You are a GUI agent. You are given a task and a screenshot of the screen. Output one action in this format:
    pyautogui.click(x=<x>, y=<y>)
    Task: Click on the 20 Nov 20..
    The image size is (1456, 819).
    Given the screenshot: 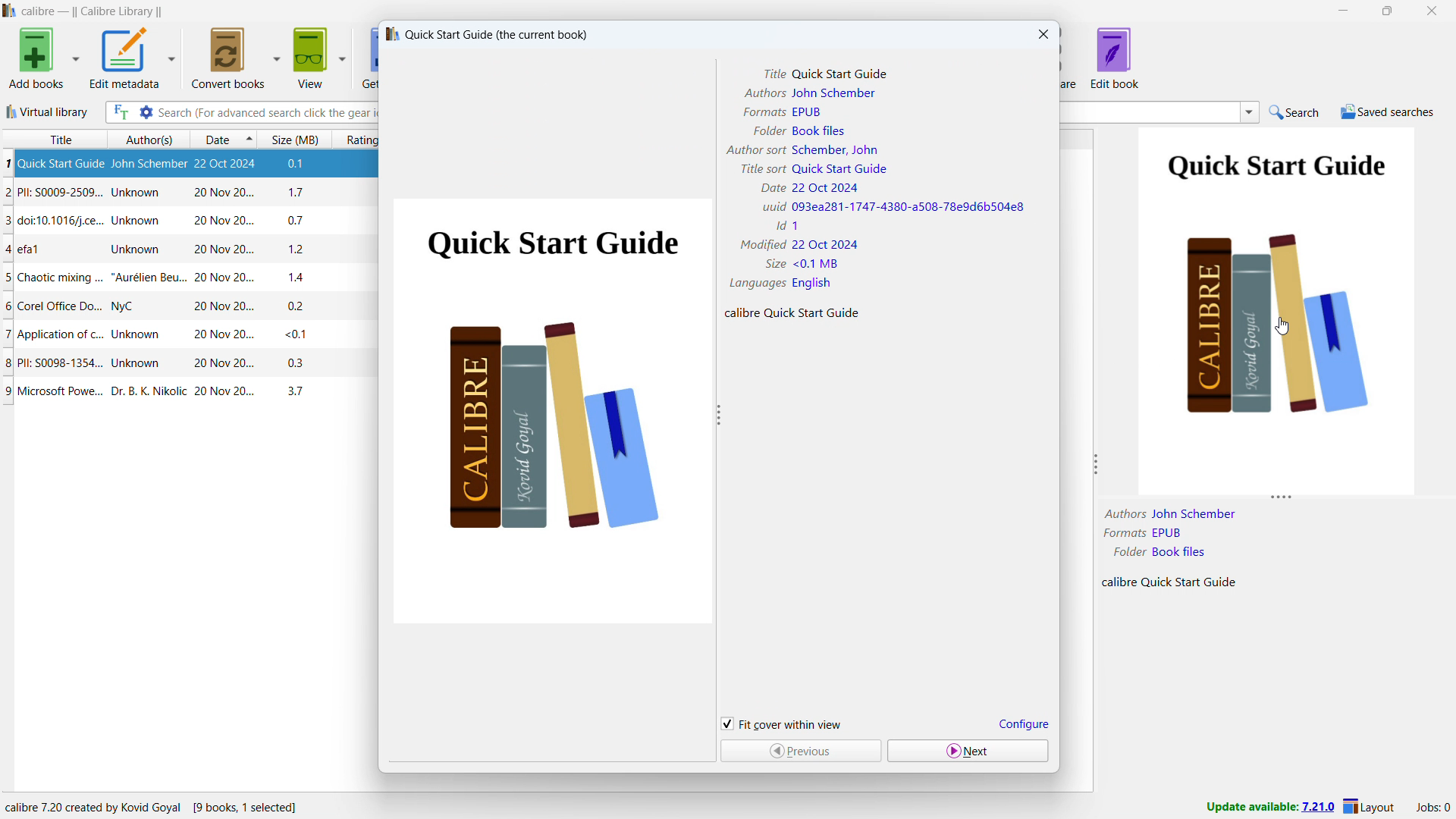 What is the action you would take?
    pyautogui.click(x=221, y=219)
    